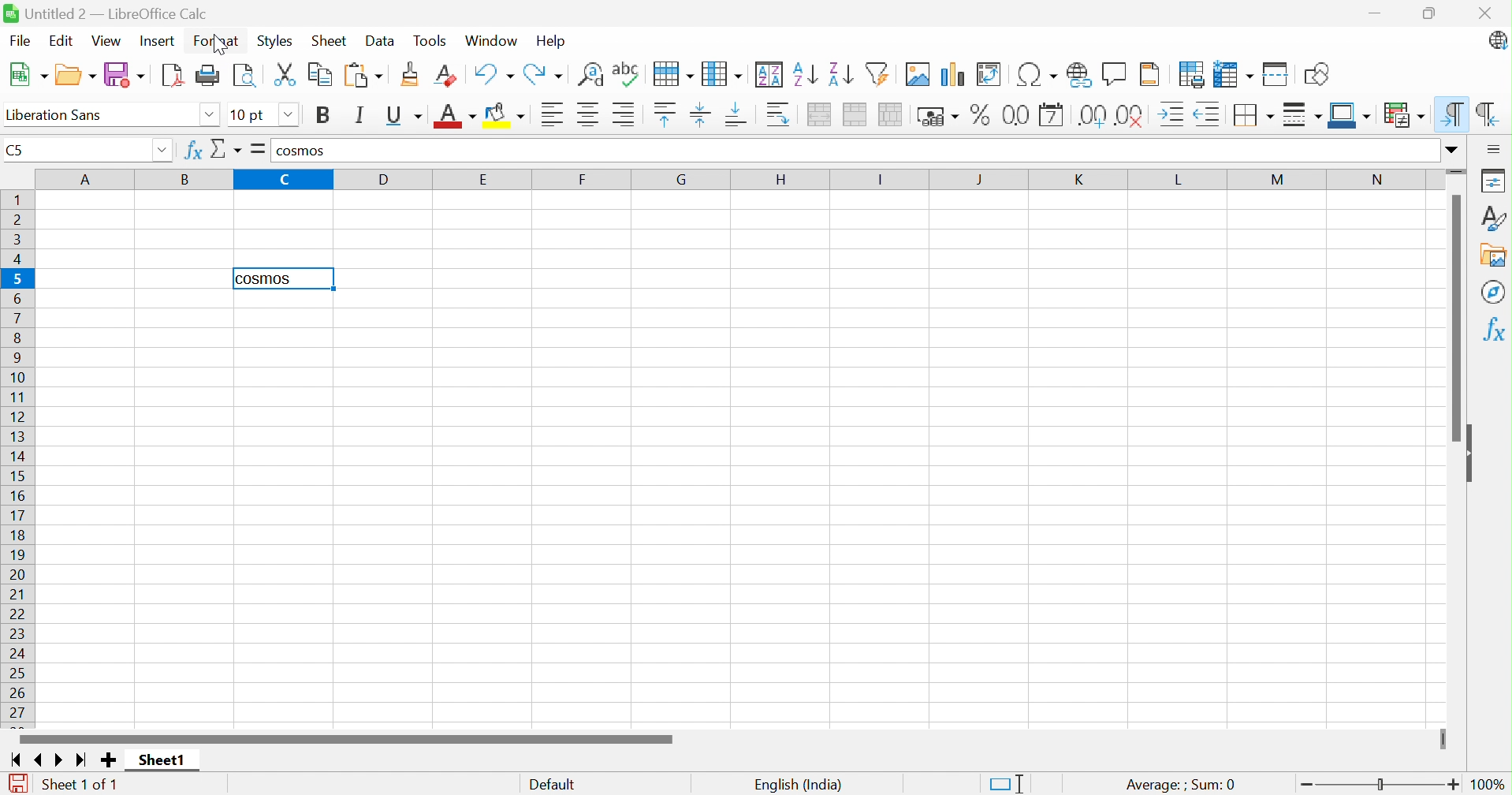 The image size is (1512, 795). What do you see at coordinates (819, 114) in the screenshot?
I see `Merge and center or unmerge cells depending on the current toggle state` at bounding box center [819, 114].